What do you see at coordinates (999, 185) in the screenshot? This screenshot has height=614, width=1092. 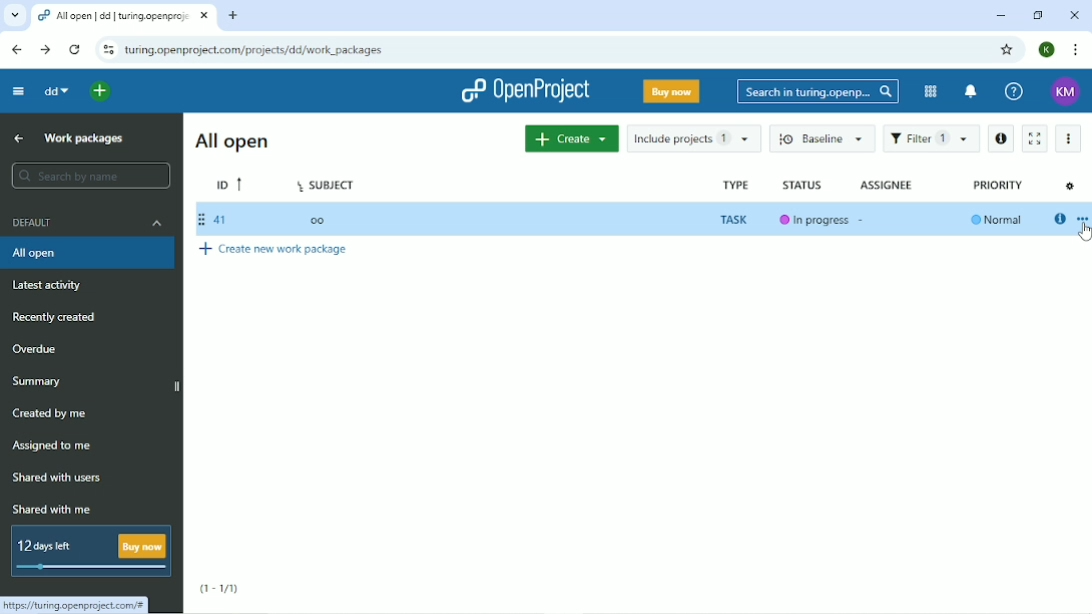 I see `Priority` at bounding box center [999, 185].